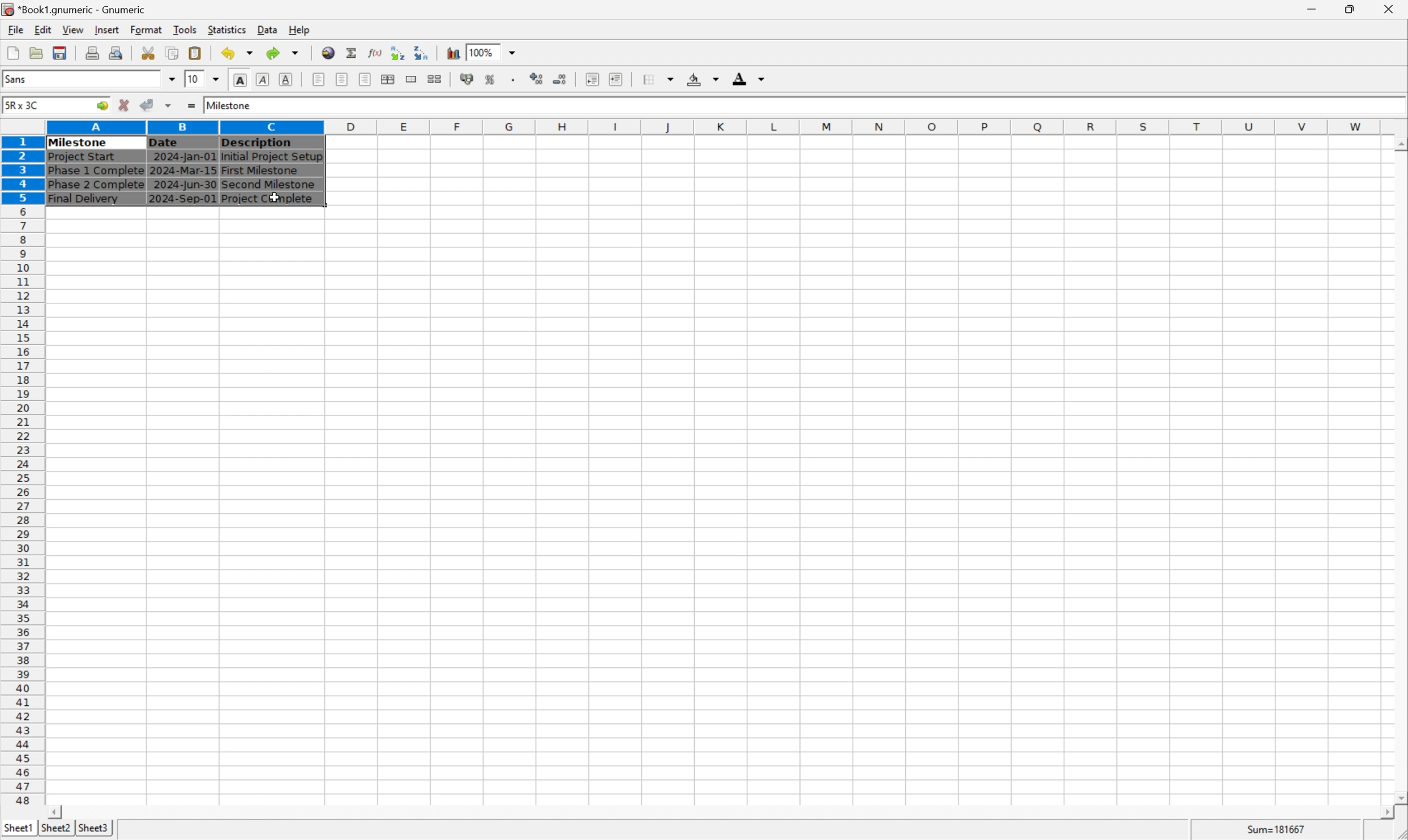 The height and width of the screenshot is (840, 1408). Describe the element at coordinates (217, 78) in the screenshot. I see `drop down` at that location.